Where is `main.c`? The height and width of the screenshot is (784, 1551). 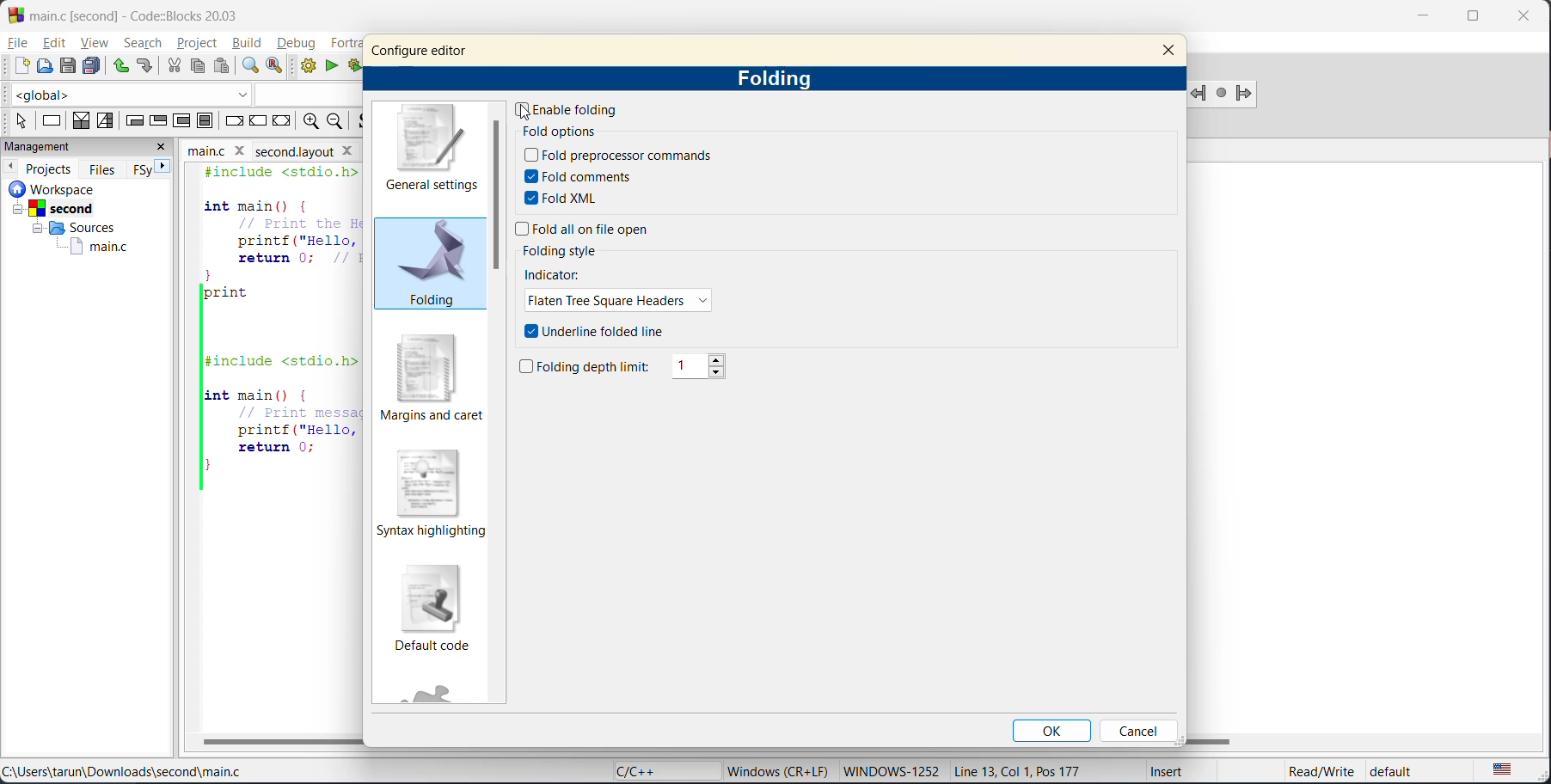
main.c is located at coordinates (89, 247).